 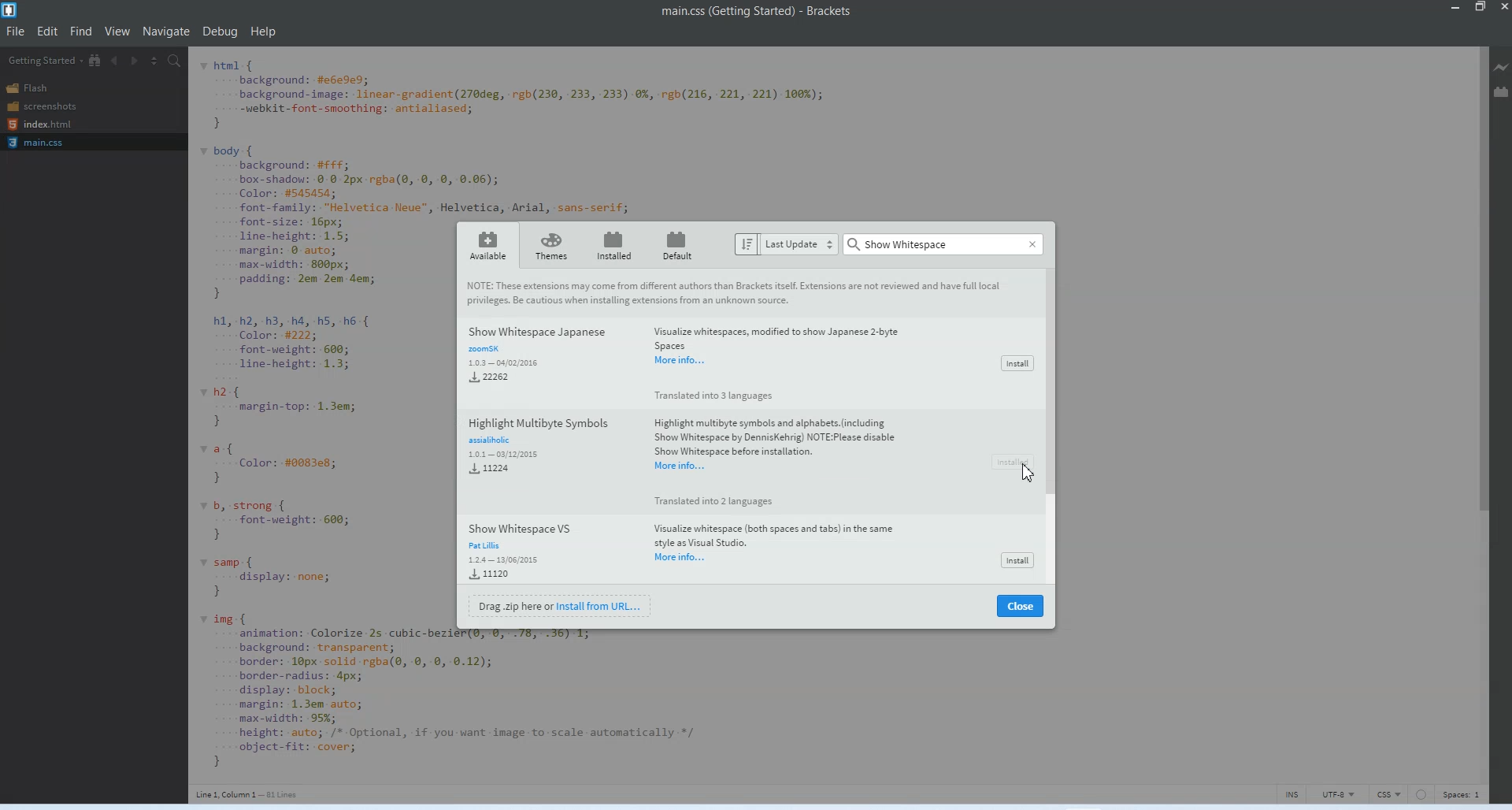 What do you see at coordinates (1337, 794) in the screenshot?
I see `UTF-8` at bounding box center [1337, 794].